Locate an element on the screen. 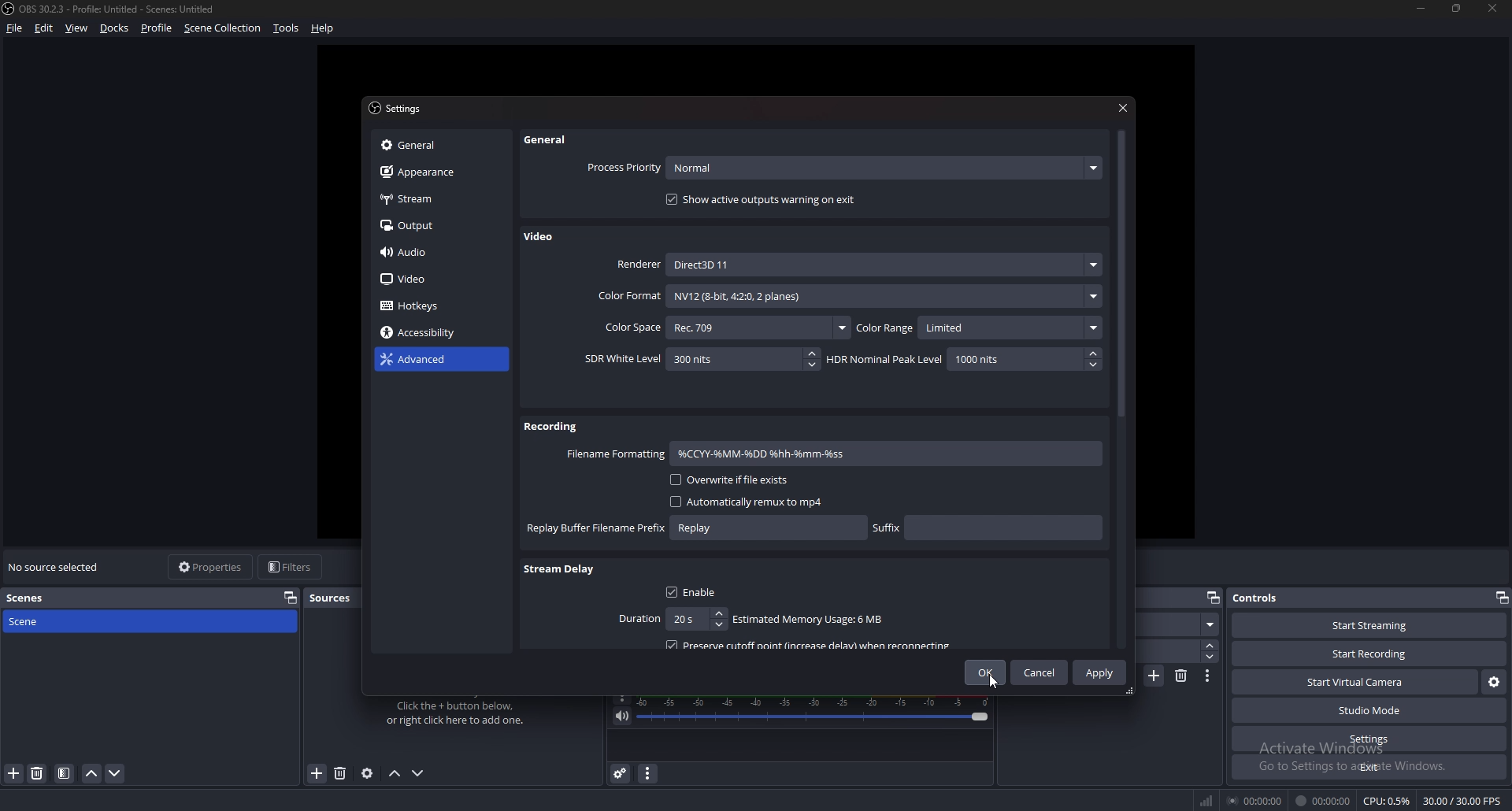 The height and width of the screenshot is (811, 1512). 00:00:00 is located at coordinates (1325, 801).